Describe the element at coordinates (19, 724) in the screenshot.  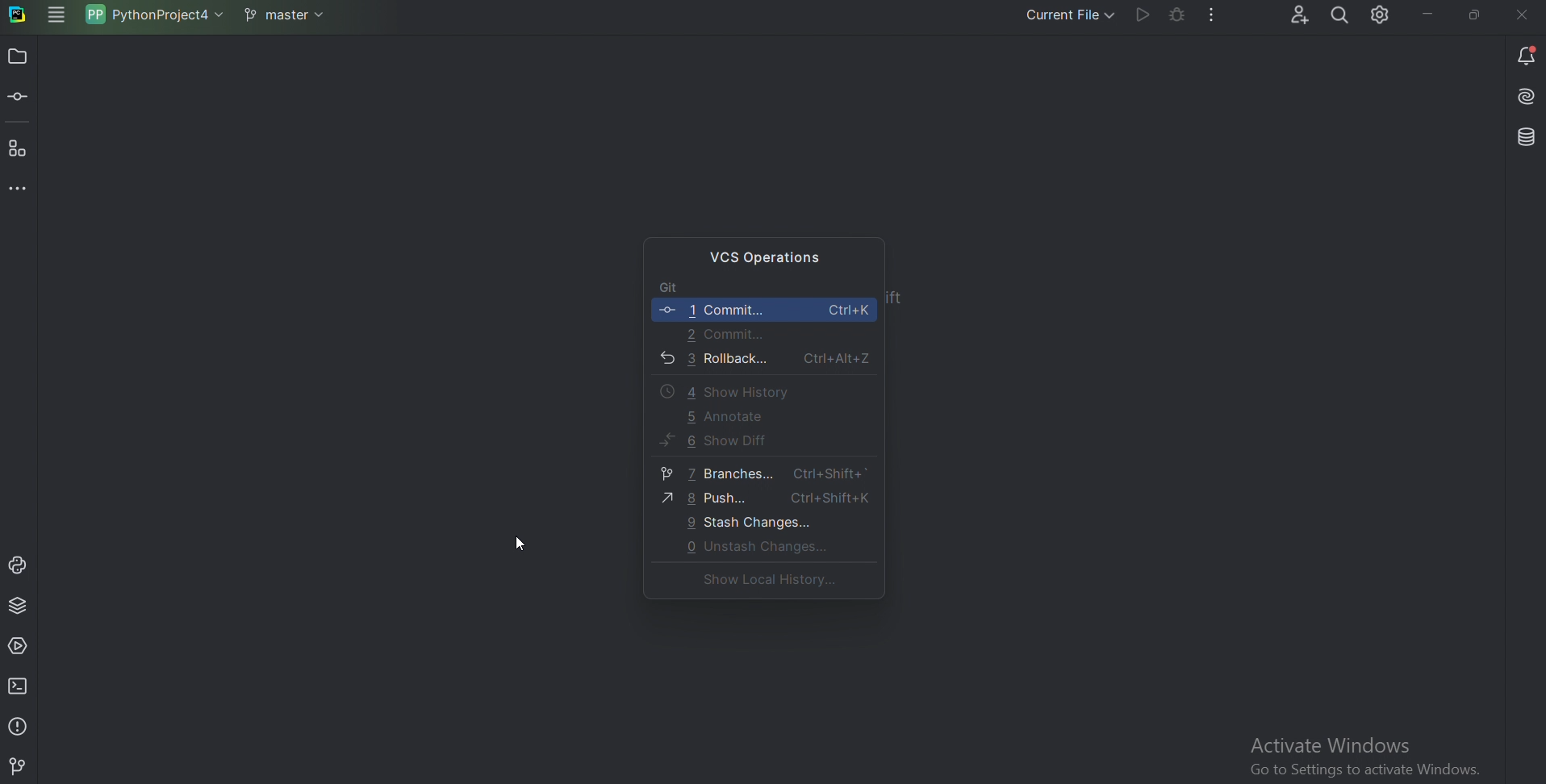
I see `Problems` at that location.